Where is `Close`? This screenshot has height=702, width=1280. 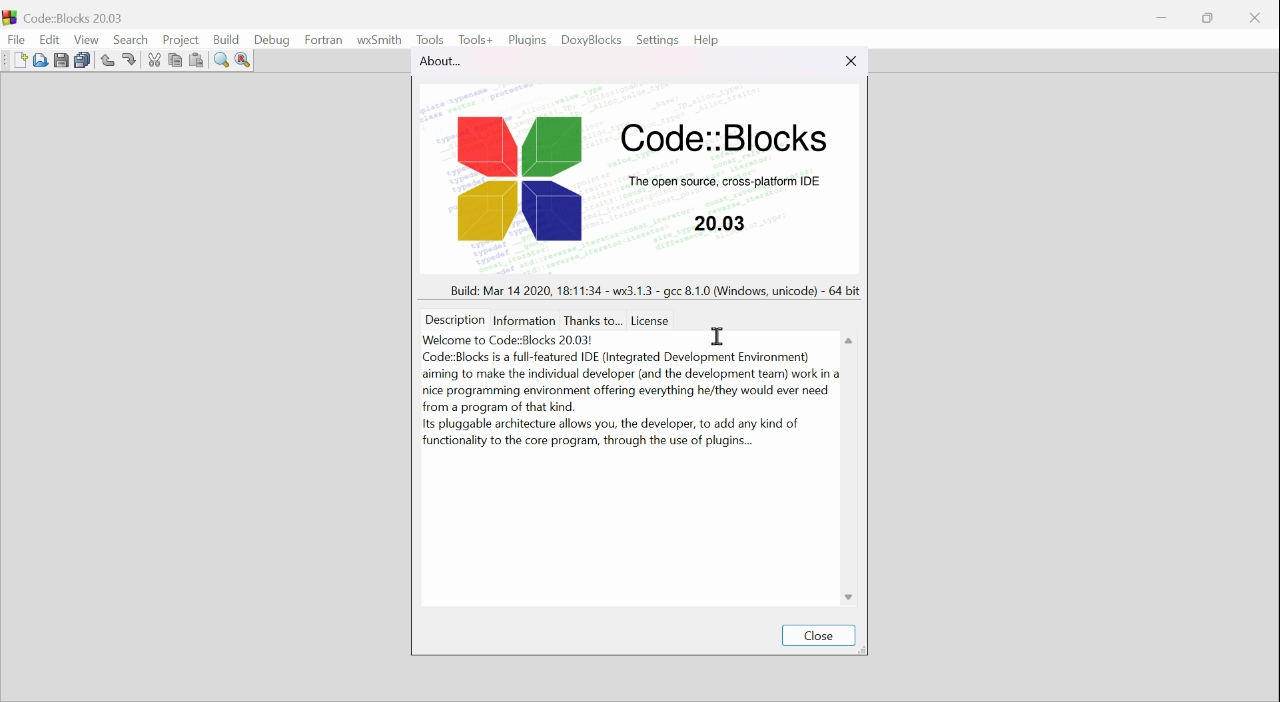 Close is located at coordinates (850, 63).